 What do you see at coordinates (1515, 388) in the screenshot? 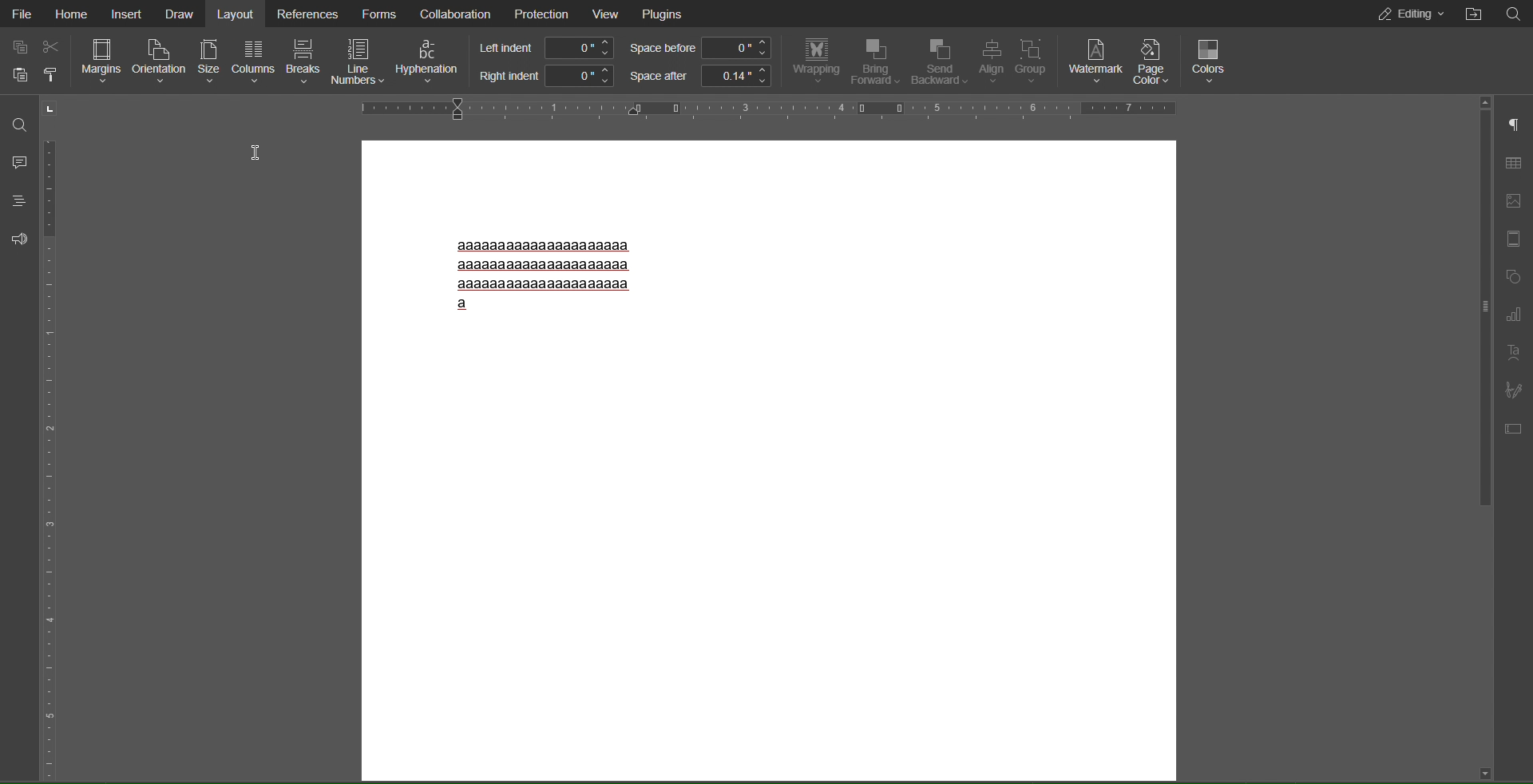
I see `Signature` at bounding box center [1515, 388].